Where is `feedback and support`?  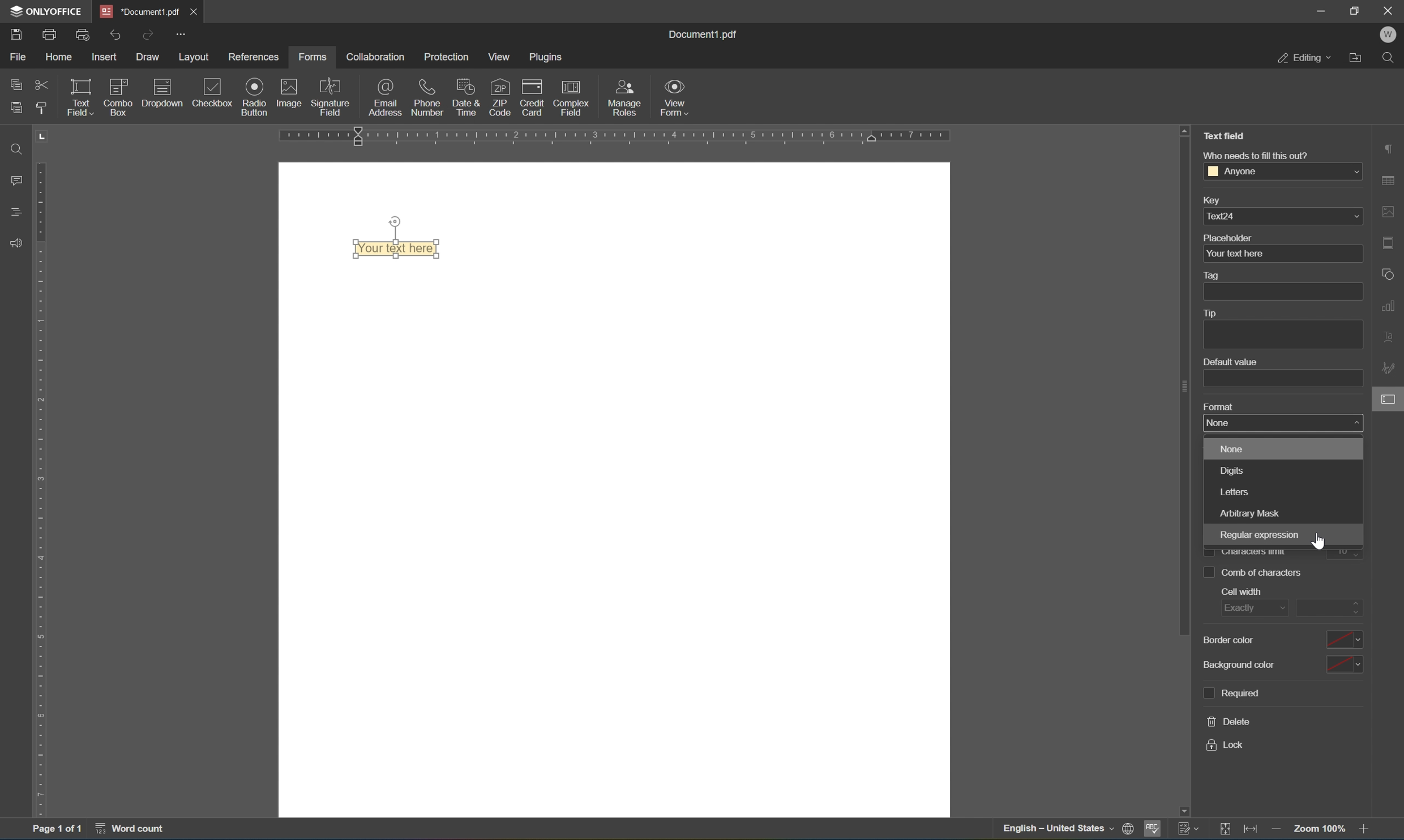 feedback and support is located at coordinates (16, 244).